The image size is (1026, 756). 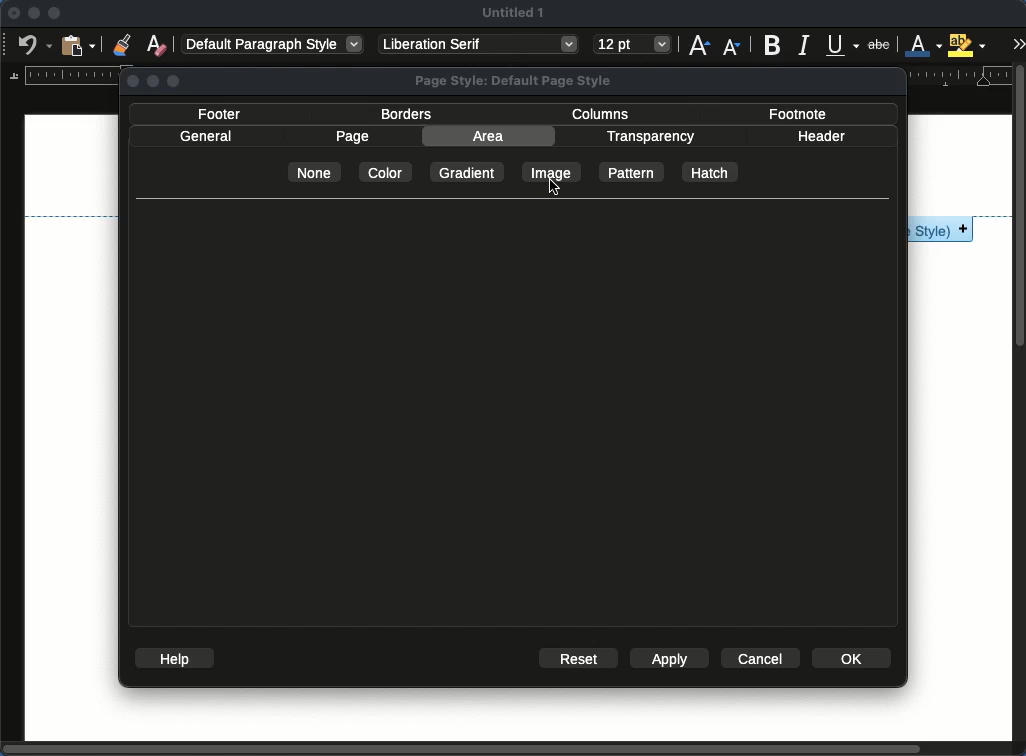 What do you see at coordinates (730, 48) in the screenshot?
I see `decrease size` at bounding box center [730, 48].